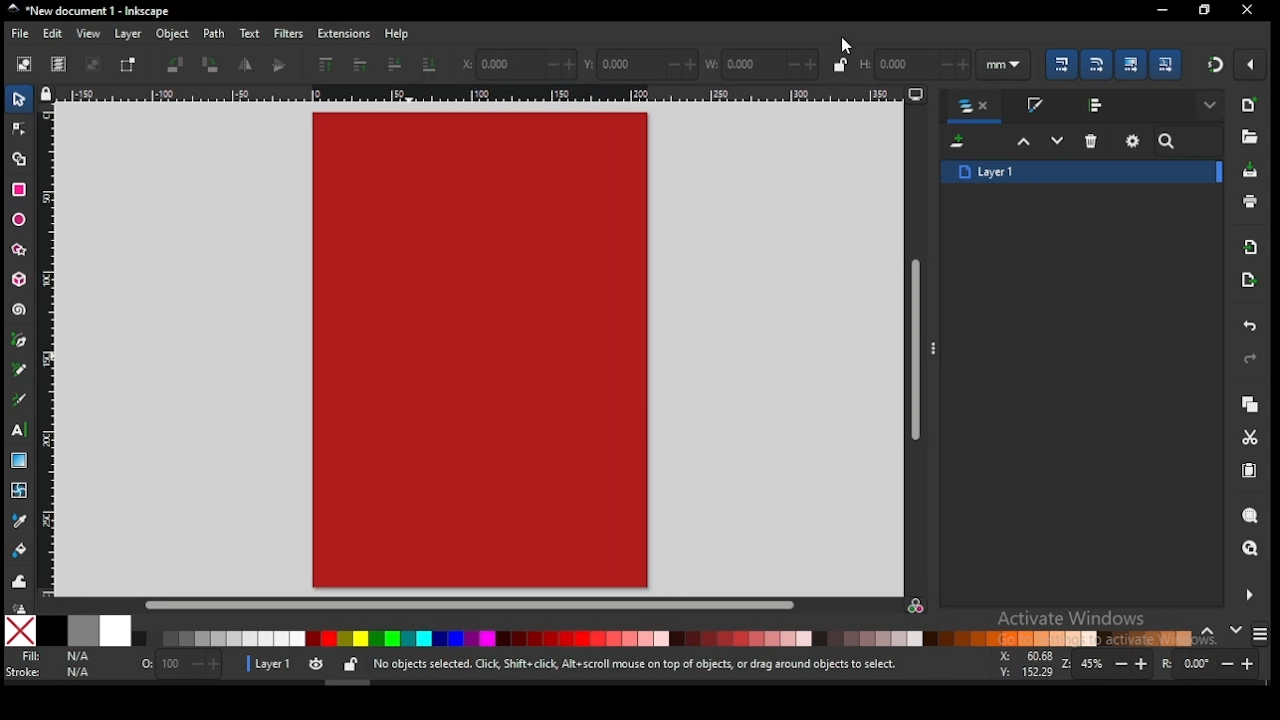 The height and width of the screenshot is (720, 1280). What do you see at coordinates (1236, 630) in the screenshot?
I see `next` at bounding box center [1236, 630].